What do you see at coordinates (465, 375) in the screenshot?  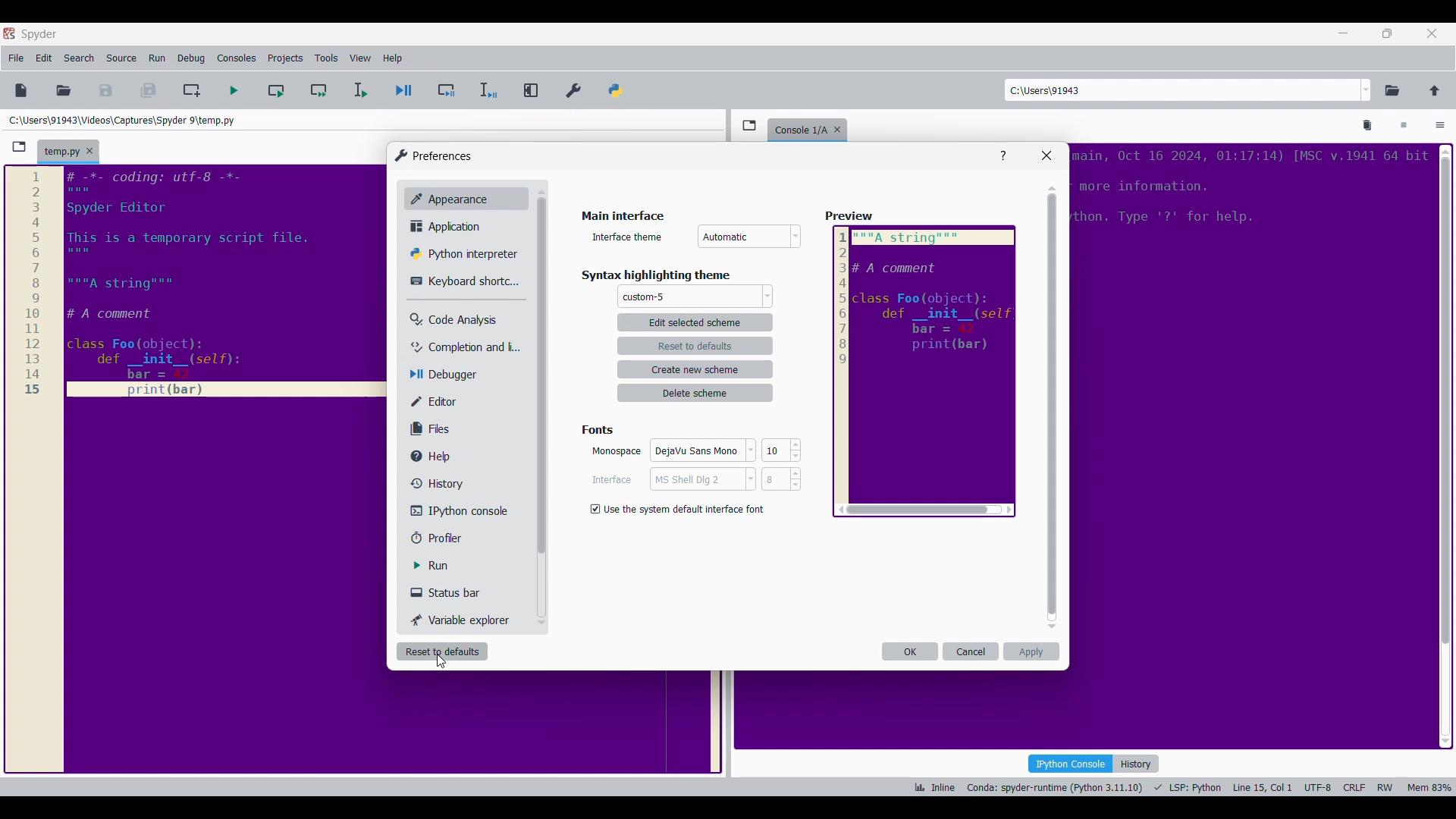 I see `Debugger` at bounding box center [465, 375].